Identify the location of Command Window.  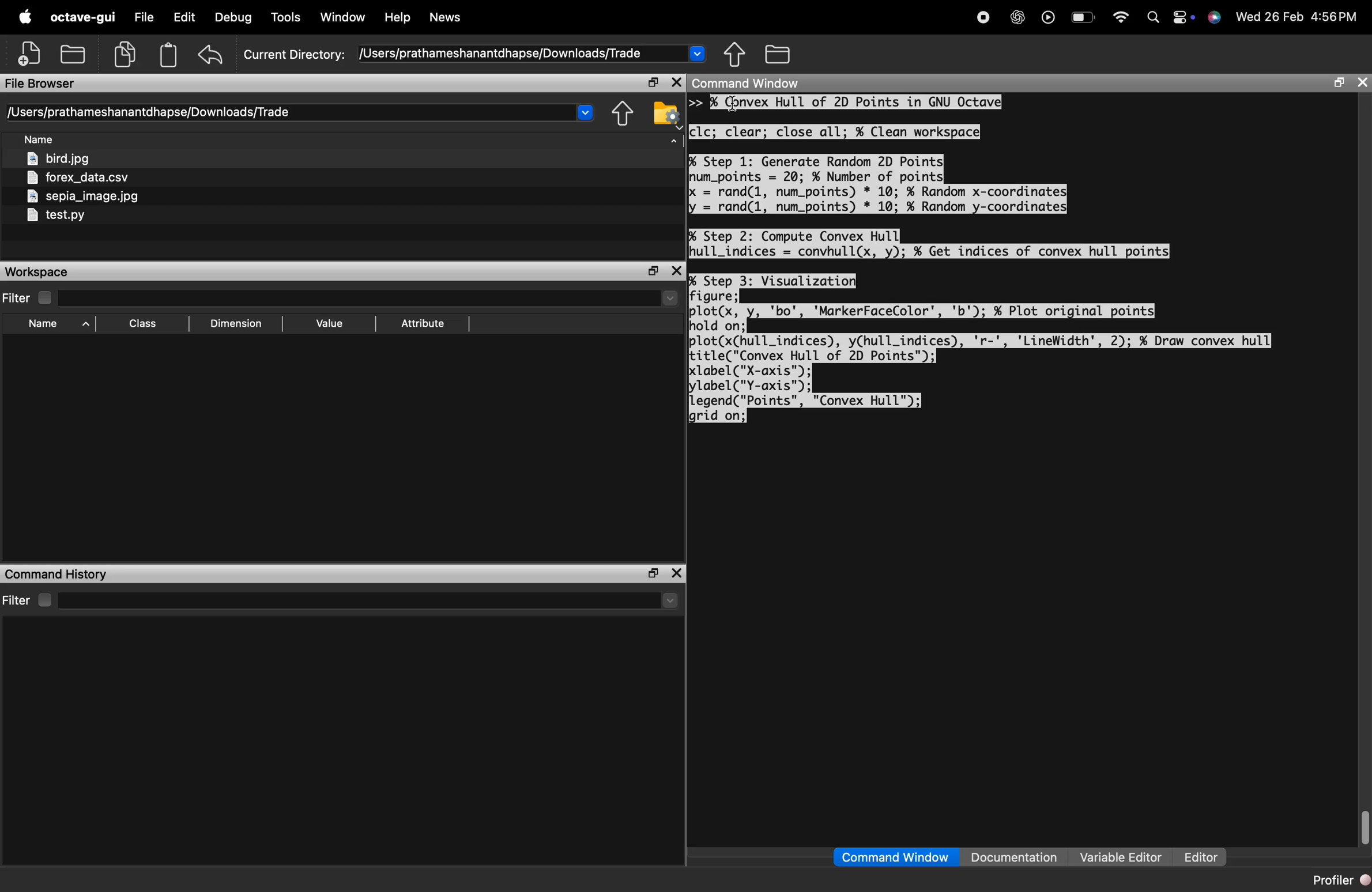
(750, 84).